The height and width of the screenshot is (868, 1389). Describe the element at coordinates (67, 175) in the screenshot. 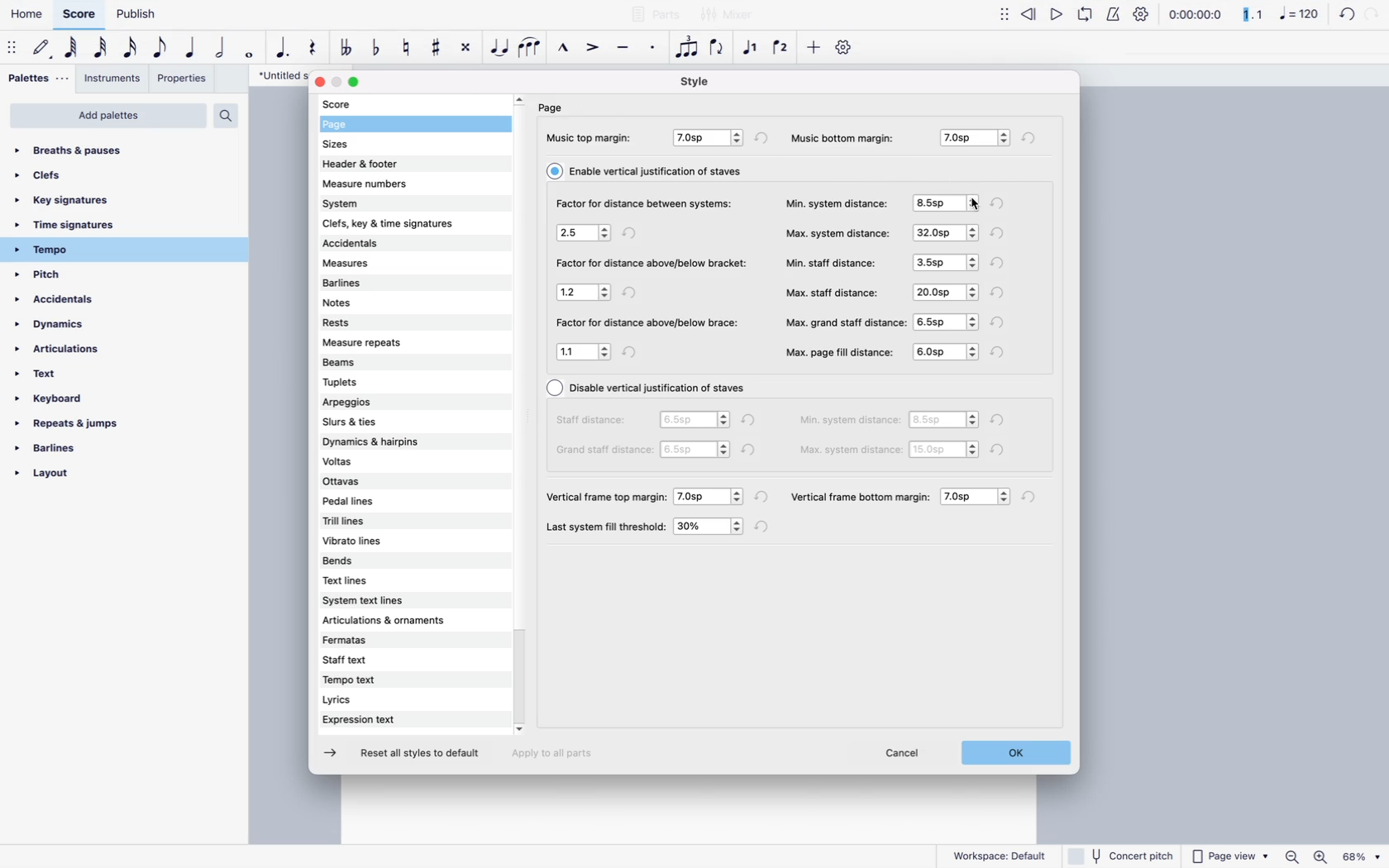

I see `clefs` at that location.